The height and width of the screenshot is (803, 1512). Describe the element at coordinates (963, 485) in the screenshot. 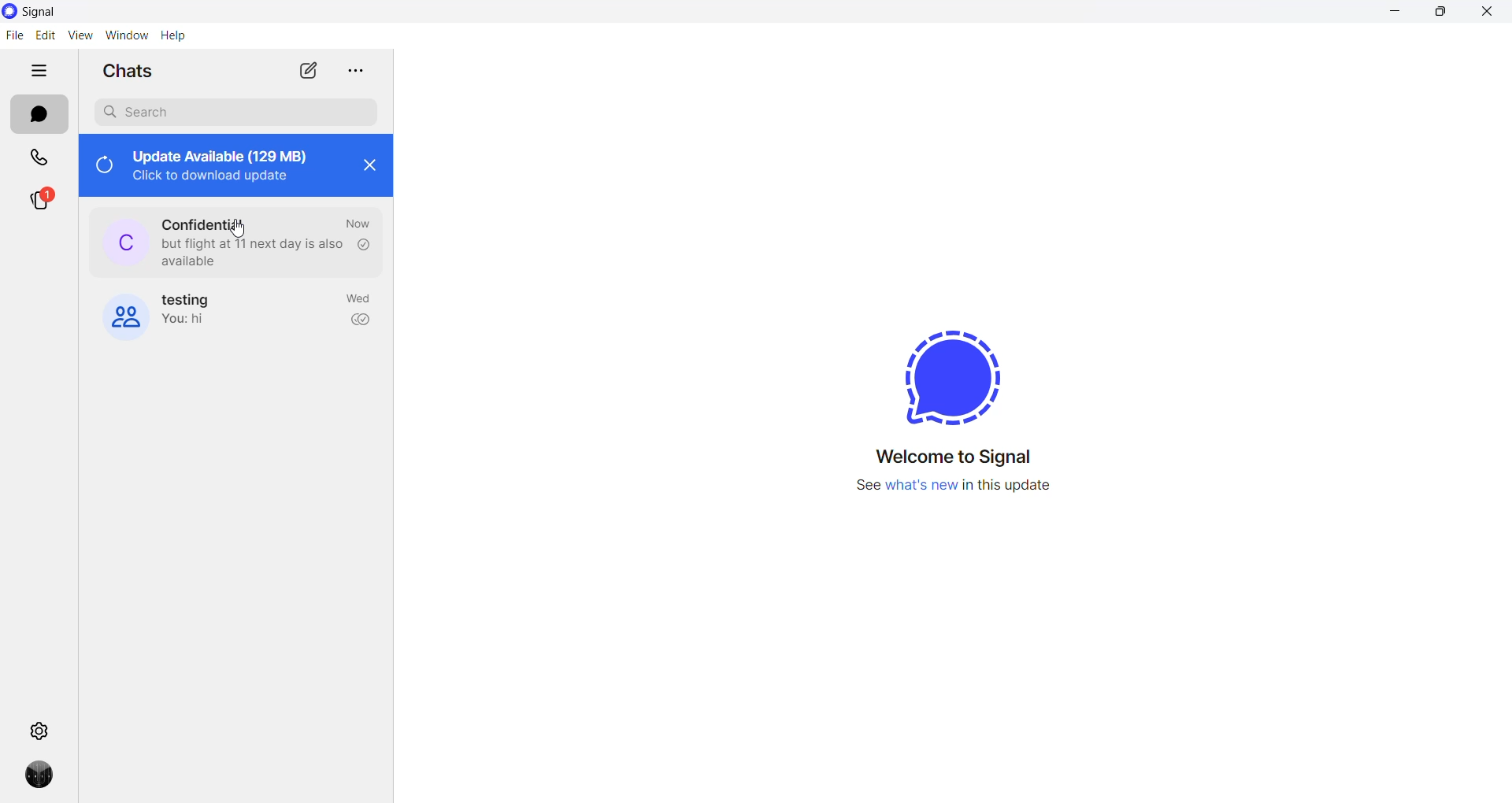

I see `update info` at that location.